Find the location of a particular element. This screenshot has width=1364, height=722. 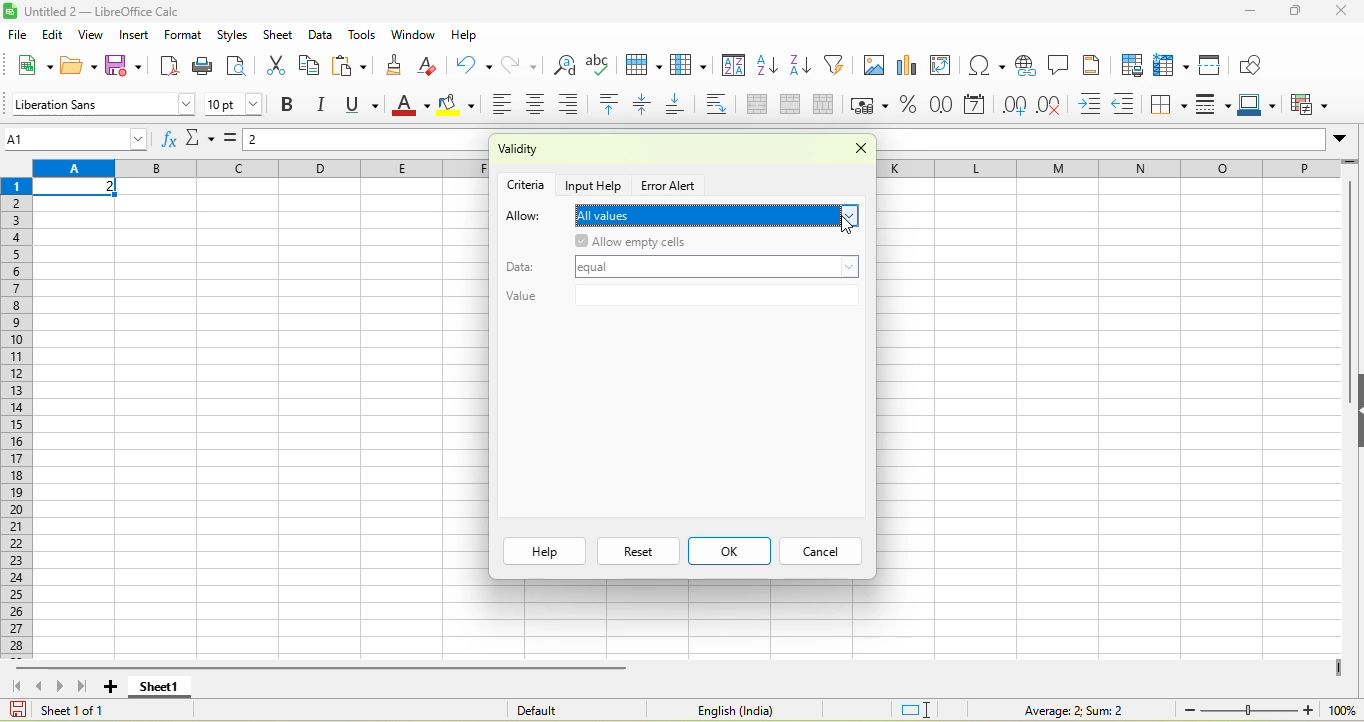

redo is located at coordinates (526, 64).